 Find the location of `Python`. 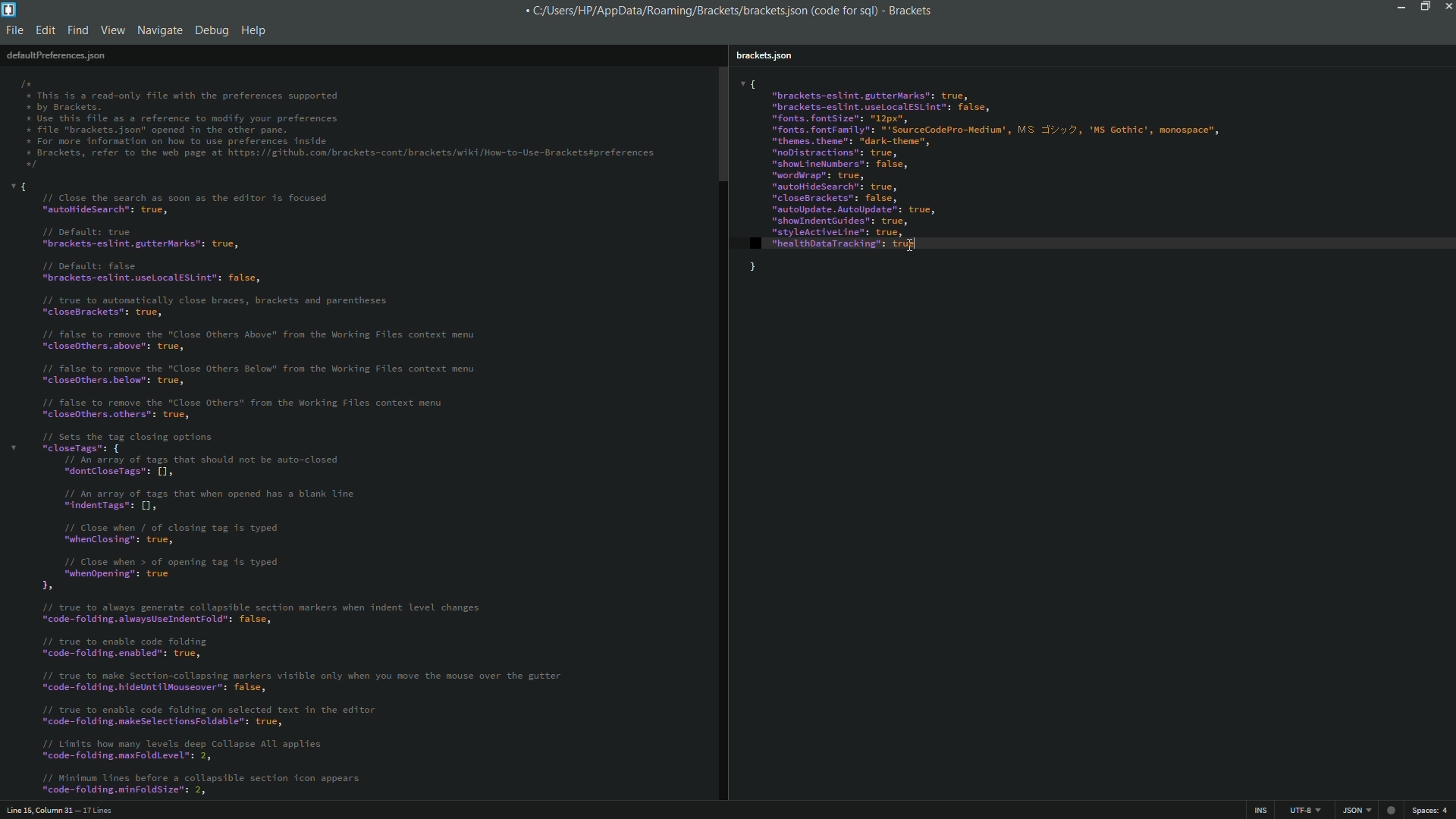

Python is located at coordinates (1354, 811).